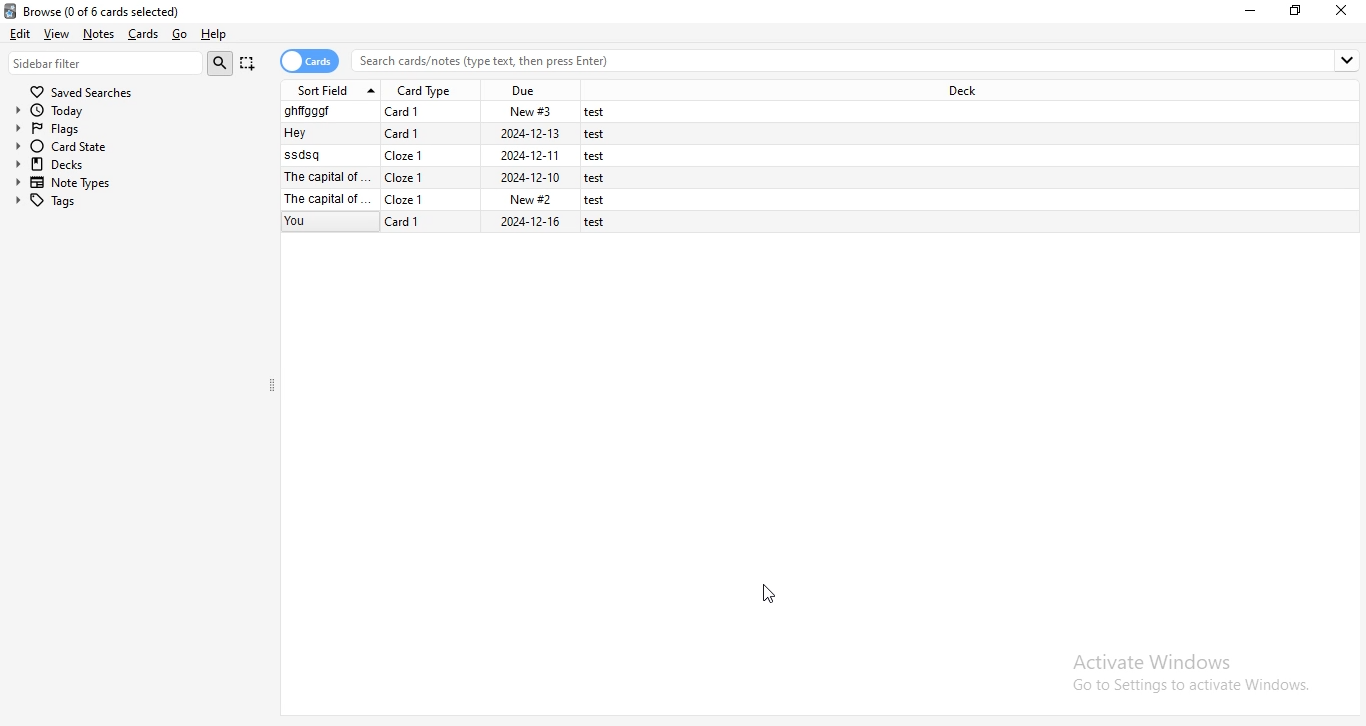 Image resolution: width=1366 pixels, height=726 pixels. Describe the element at coordinates (180, 33) in the screenshot. I see `go` at that location.